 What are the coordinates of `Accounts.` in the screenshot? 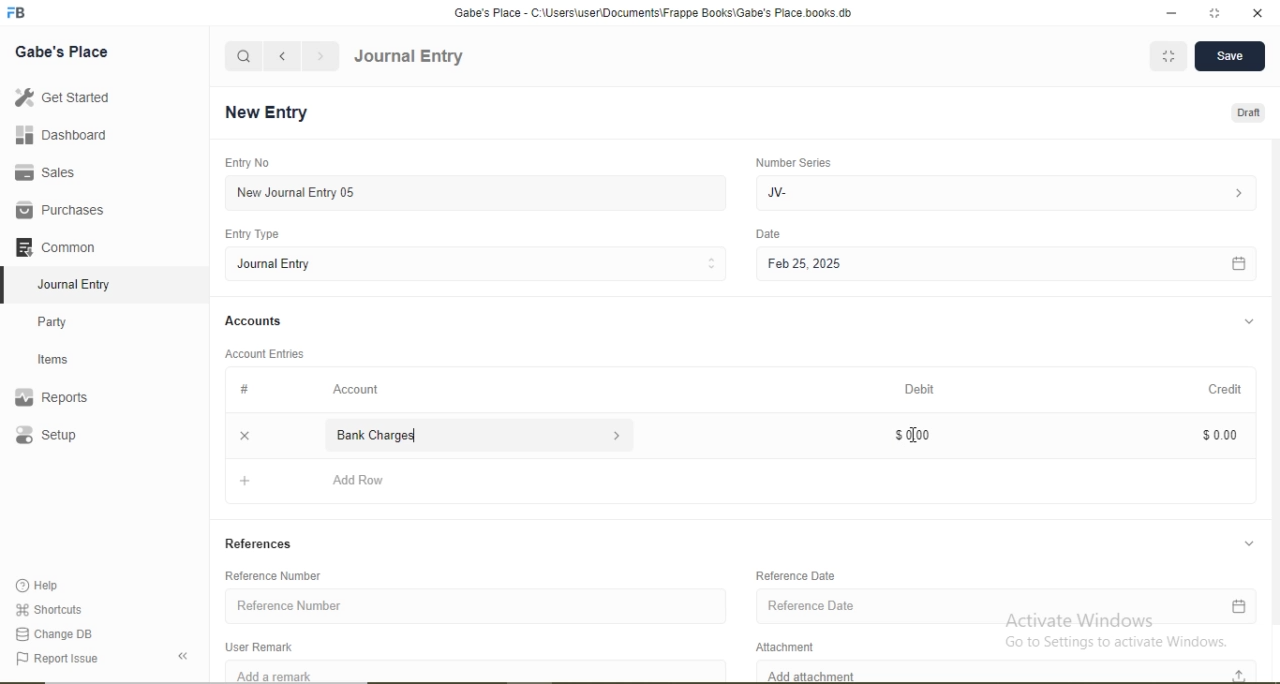 It's located at (254, 321).